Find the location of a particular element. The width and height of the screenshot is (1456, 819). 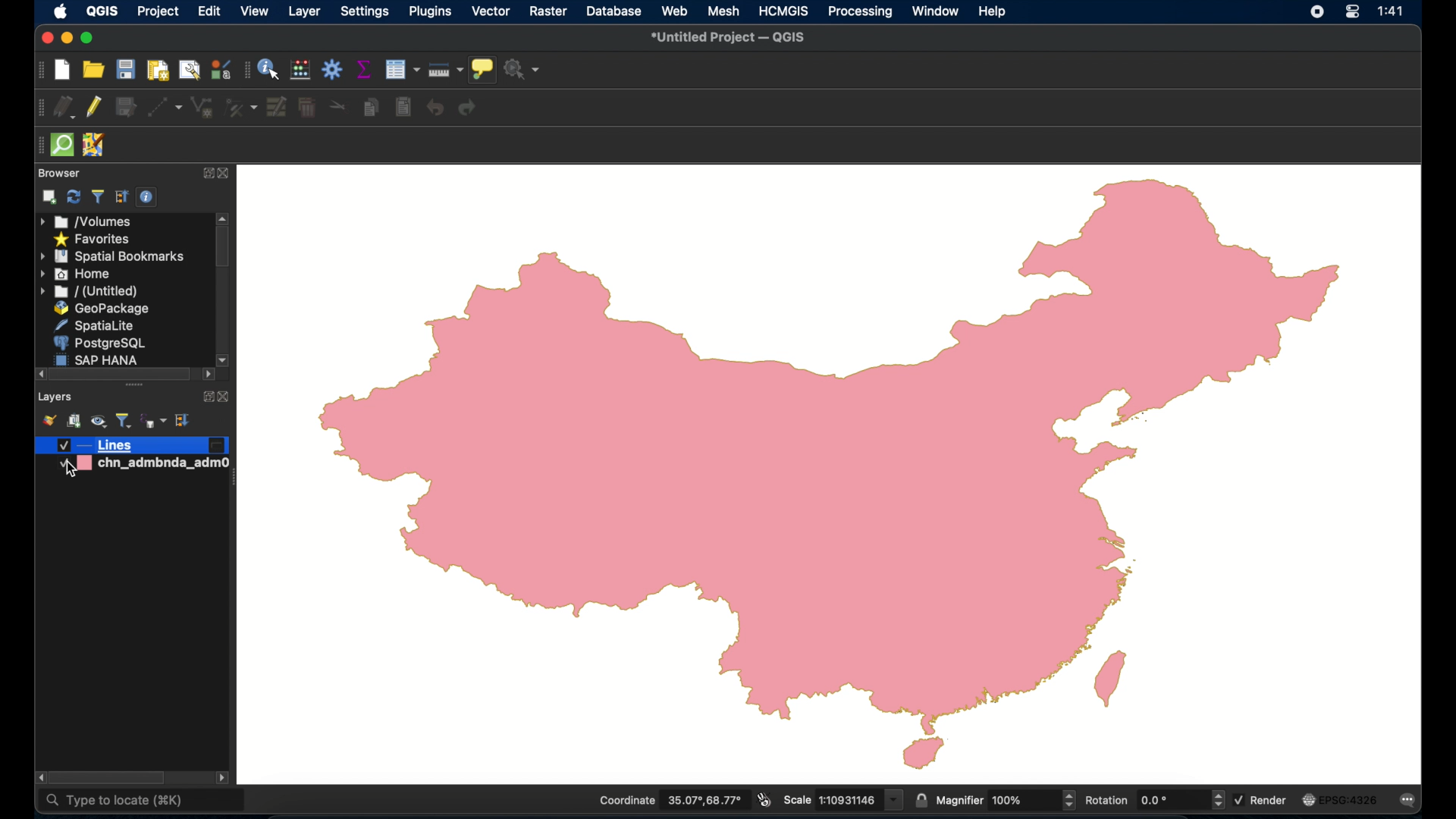

add selected layers is located at coordinates (50, 197).